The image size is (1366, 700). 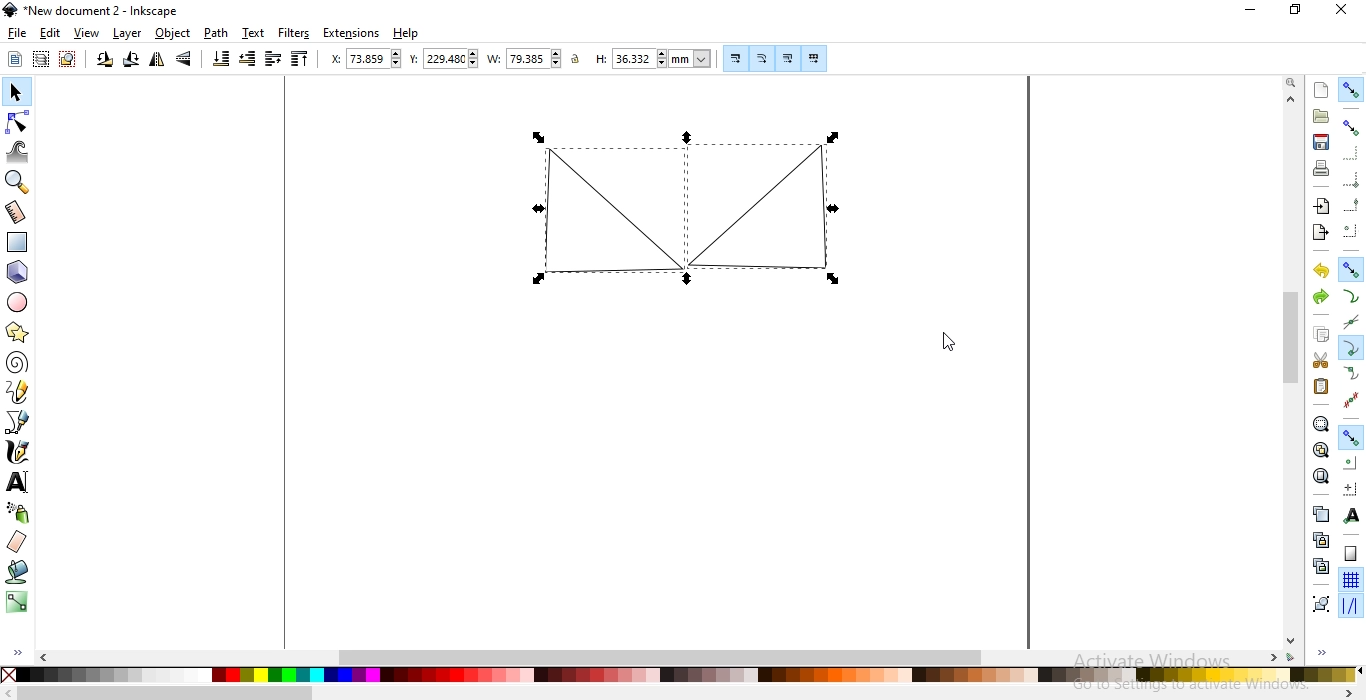 What do you see at coordinates (1350, 397) in the screenshot?
I see `snap midpoints of line segments` at bounding box center [1350, 397].